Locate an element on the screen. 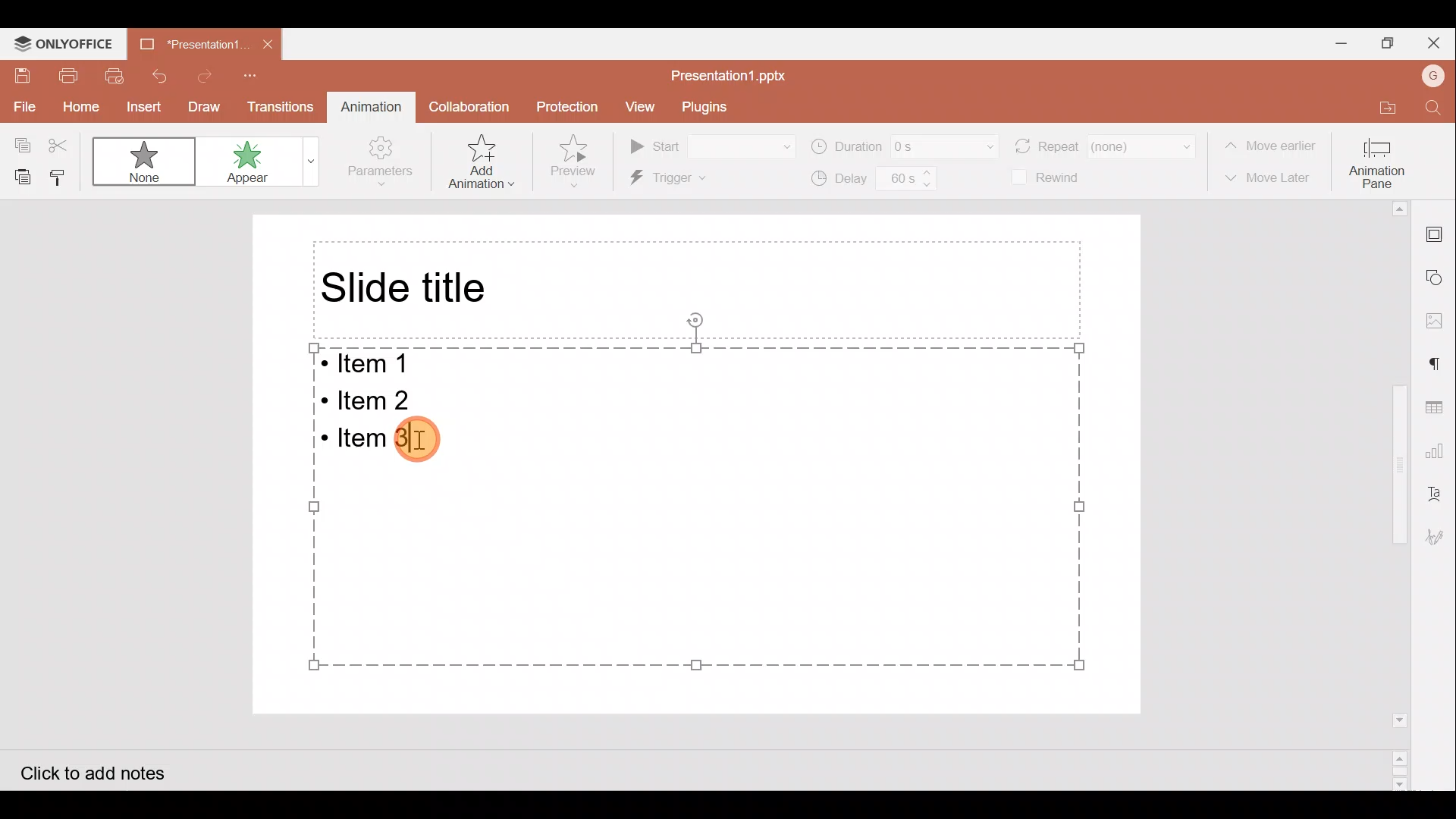 This screenshot has height=819, width=1456. Move earlier is located at coordinates (1271, 142).